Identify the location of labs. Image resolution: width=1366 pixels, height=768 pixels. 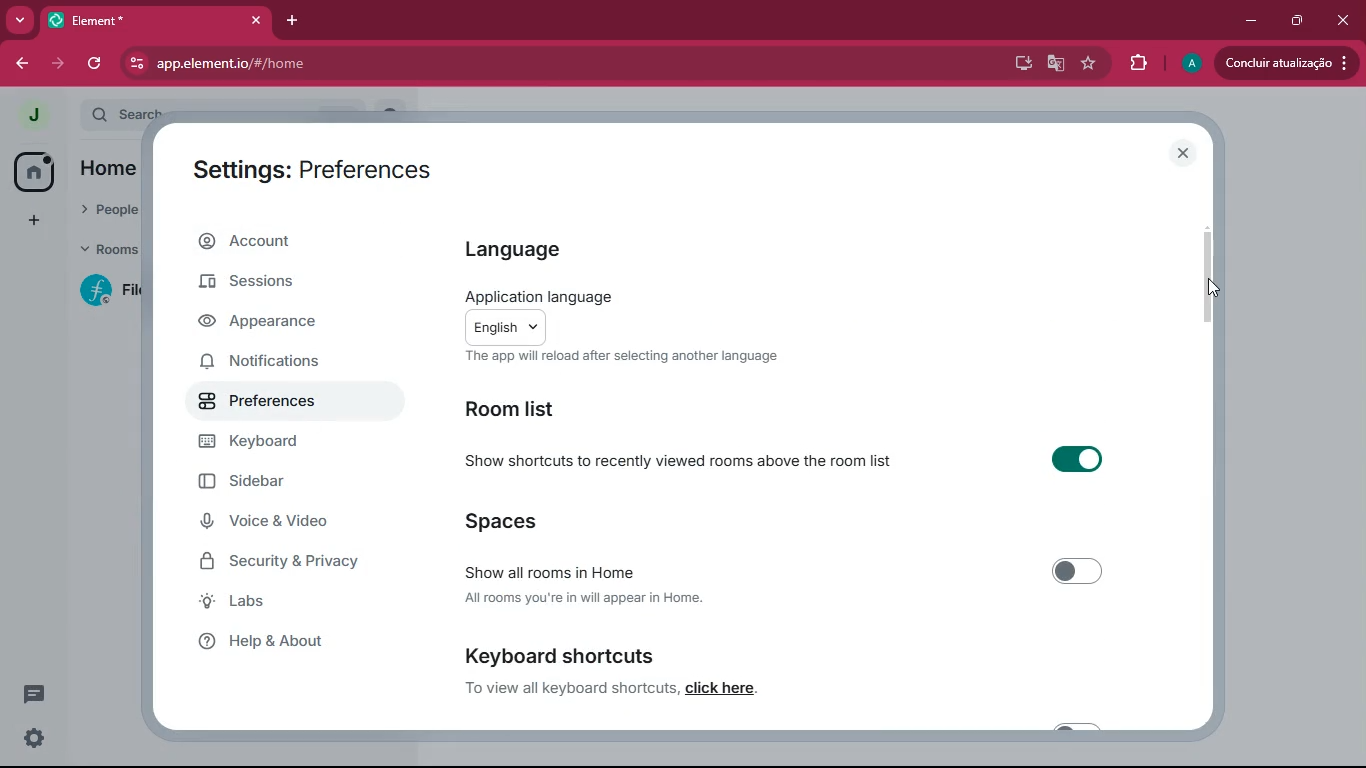
(284, 605).